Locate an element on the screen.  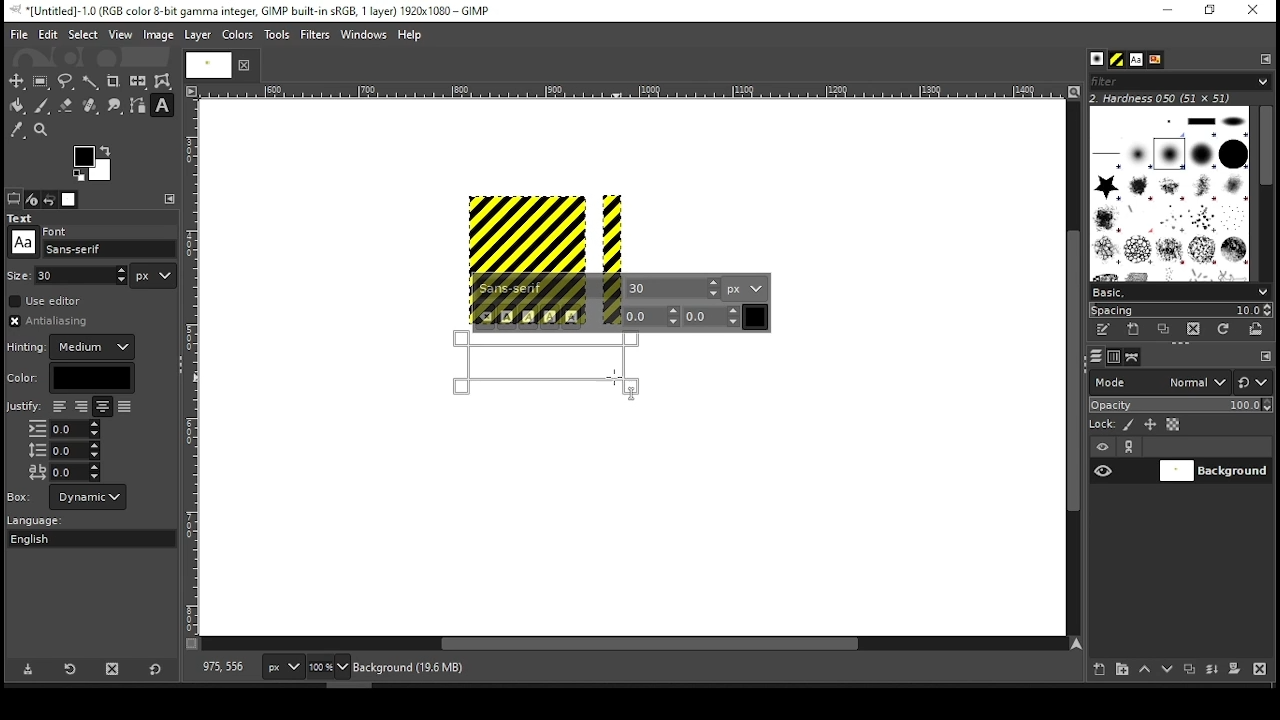
move layer one step down is located at coordinates (1168, 671).